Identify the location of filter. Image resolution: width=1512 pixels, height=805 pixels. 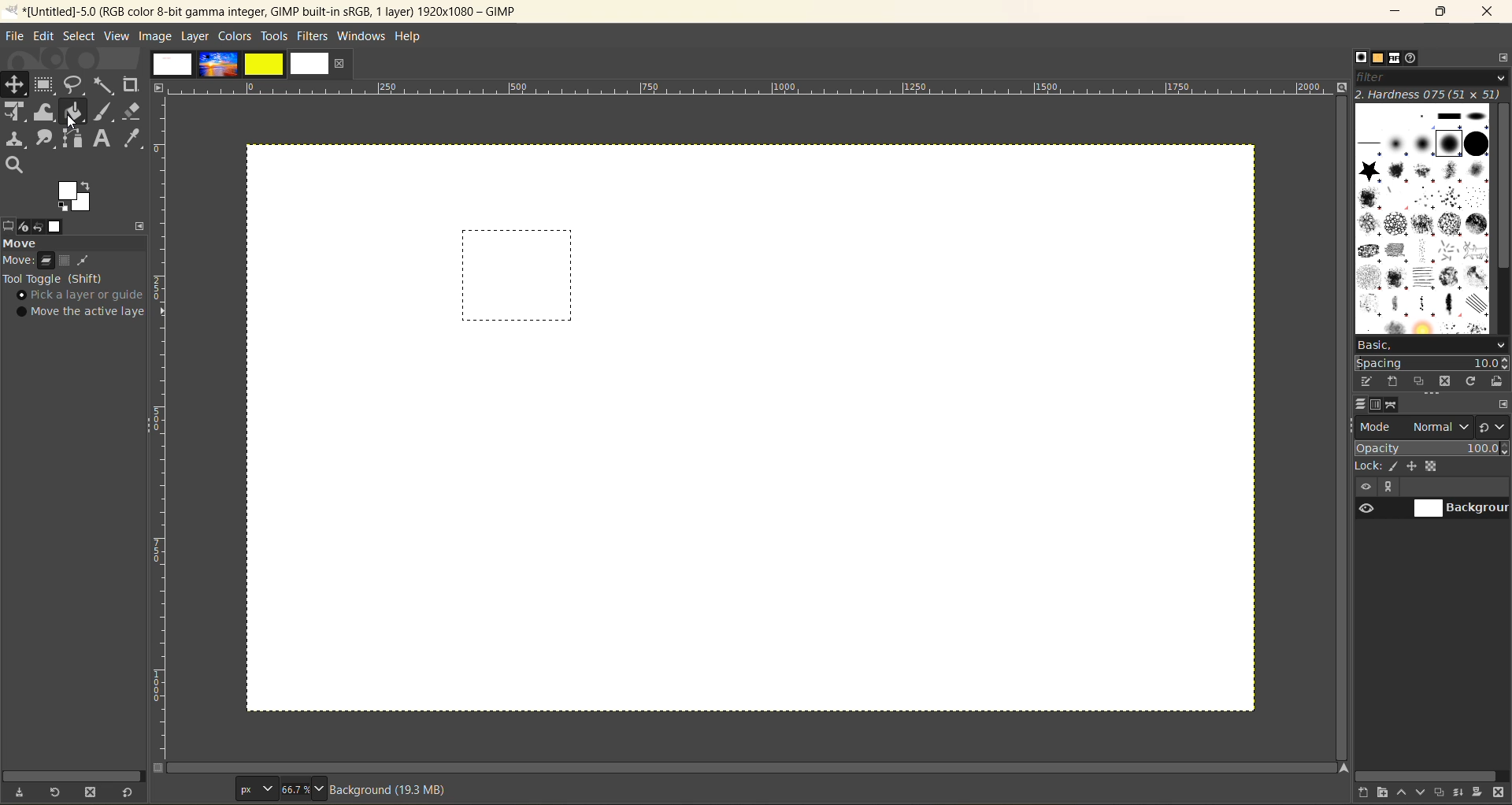
(1432, 80).